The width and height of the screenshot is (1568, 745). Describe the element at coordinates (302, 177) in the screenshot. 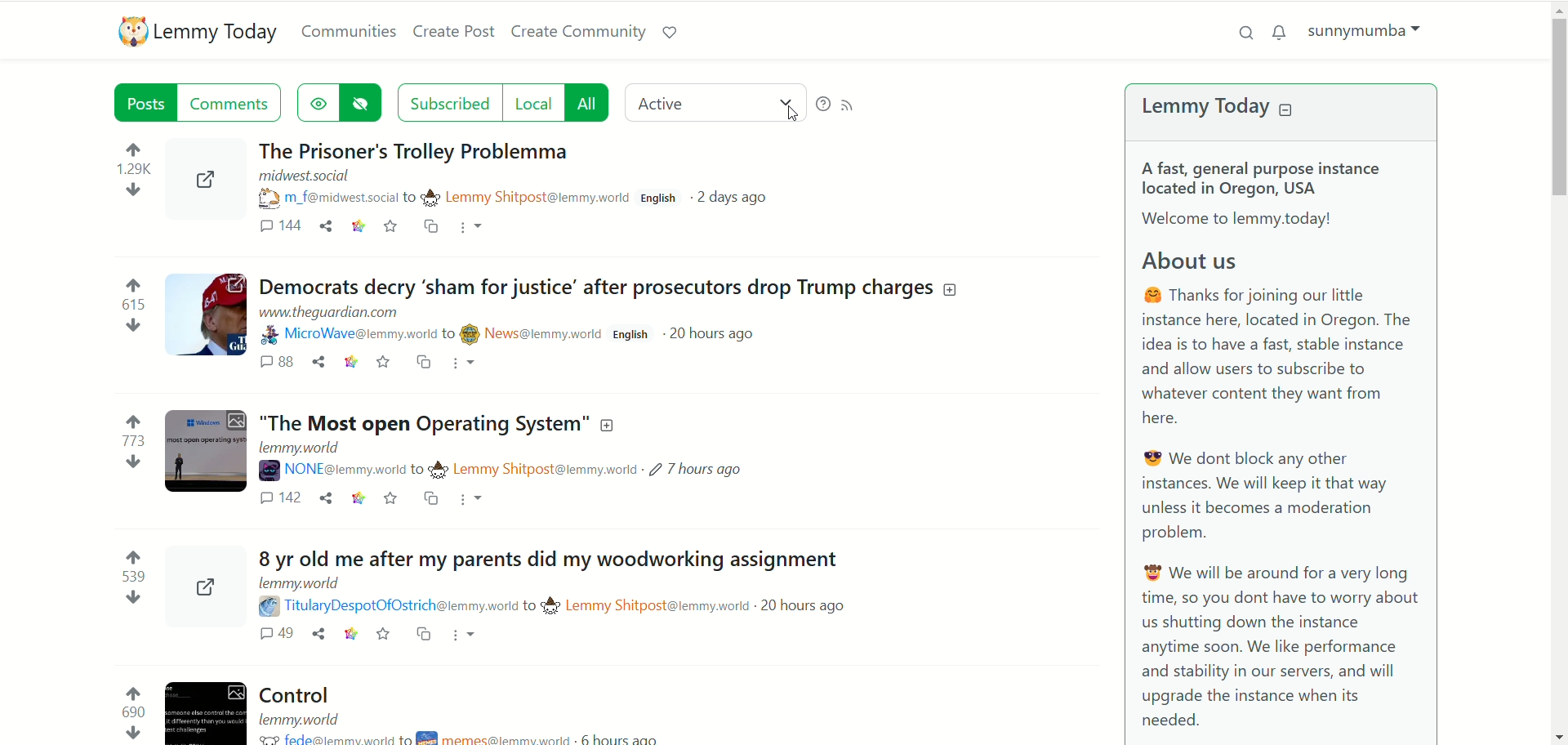

I see `‘midwest.social (link)` at that location.